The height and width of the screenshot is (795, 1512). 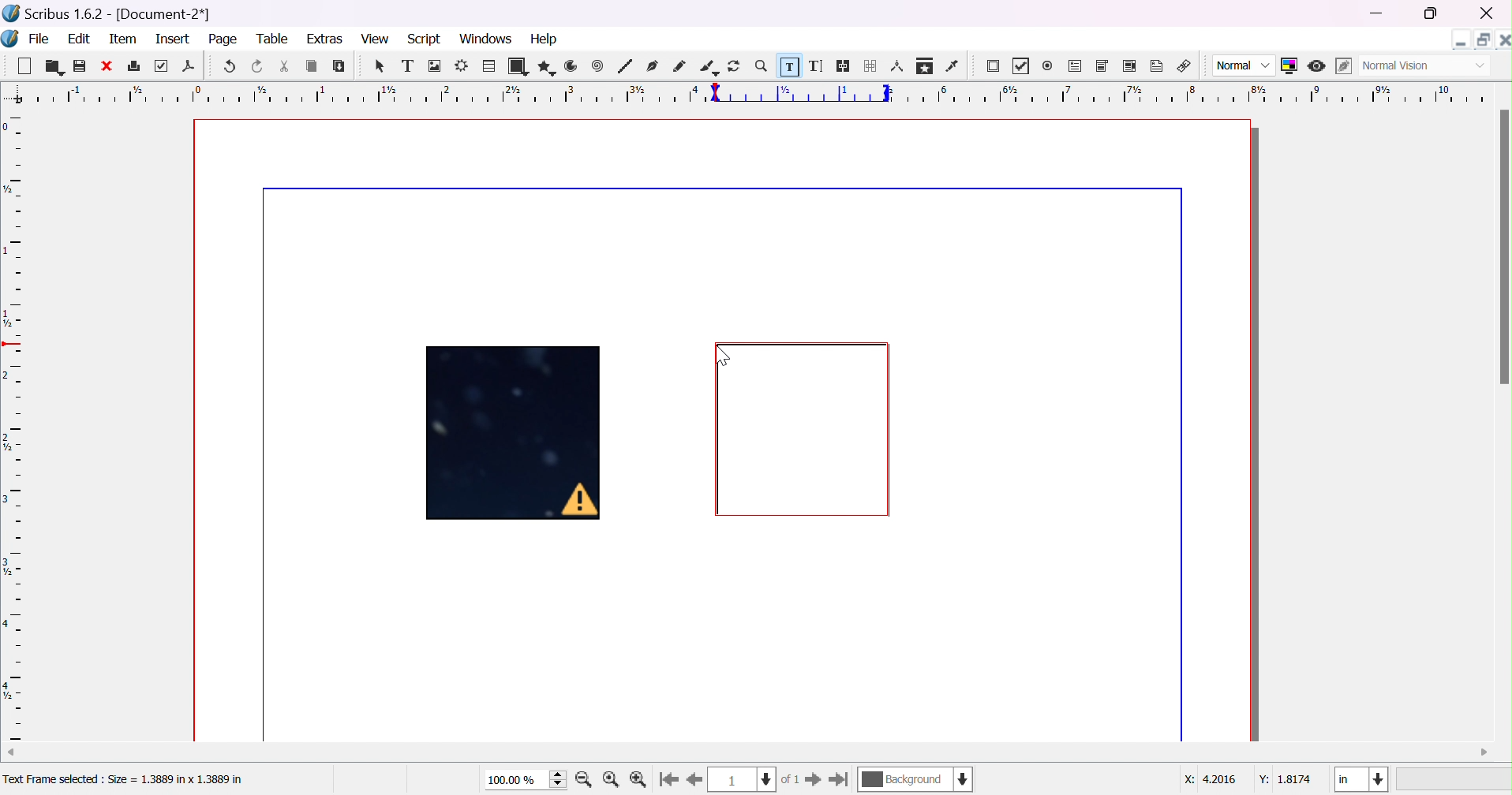 I want to click on radio button, so click(x=1049, y=66).